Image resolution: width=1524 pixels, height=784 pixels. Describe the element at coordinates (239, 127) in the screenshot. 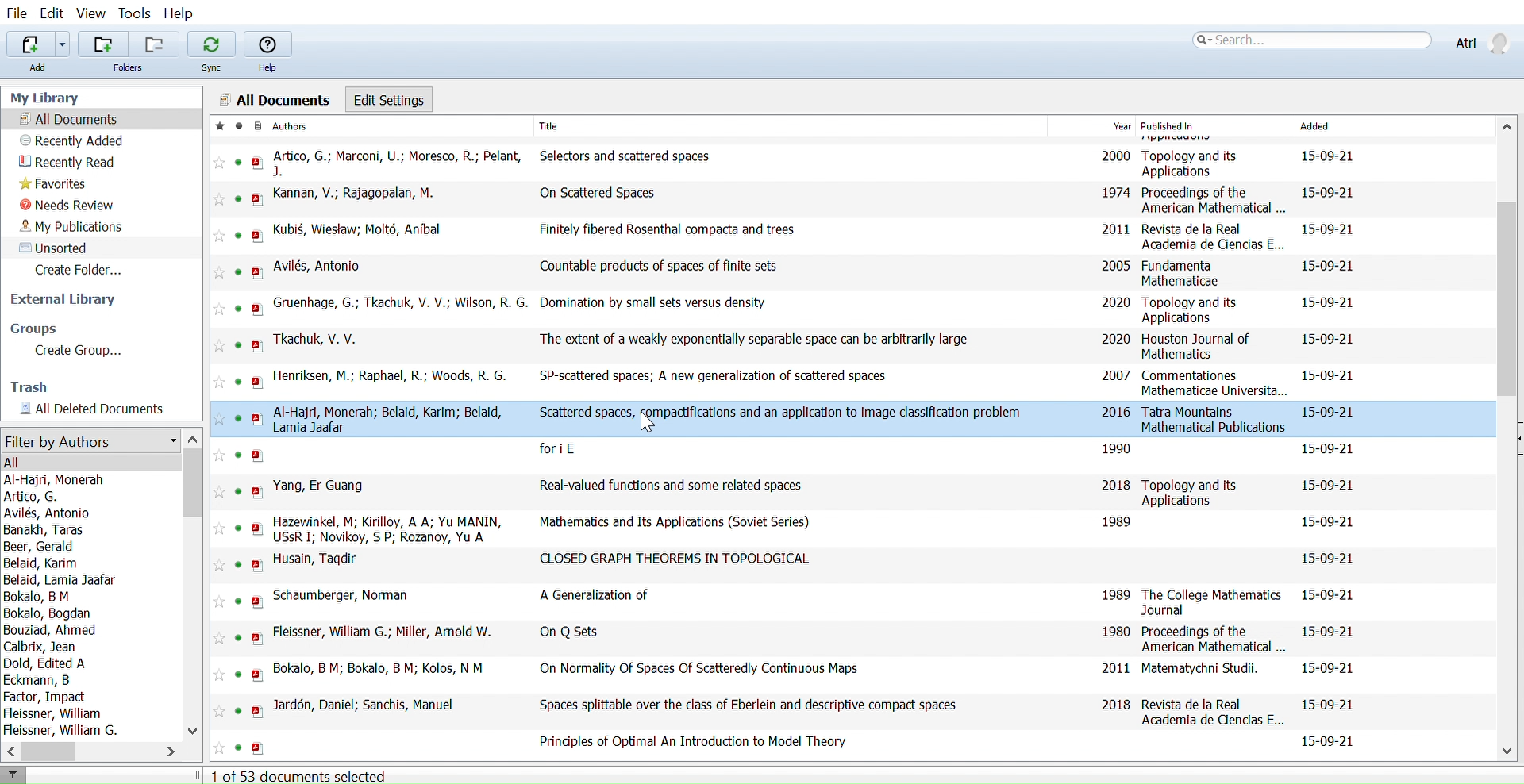

I see `Reading status` at that location.